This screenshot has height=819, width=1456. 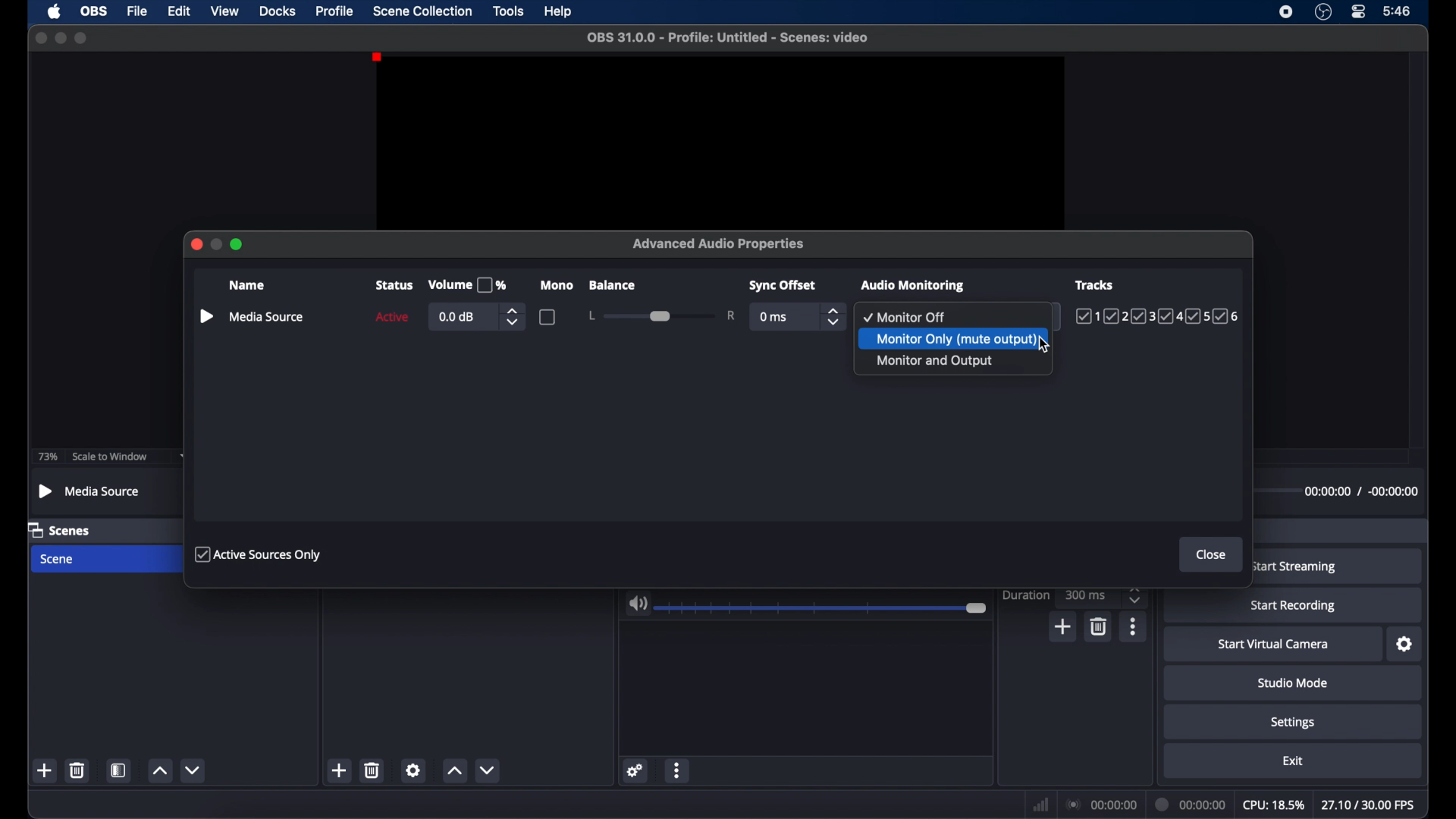 What do you see at coordinates (1097, 626) in the screenshot?
I see `delete` at bounding box center [1097, 626].